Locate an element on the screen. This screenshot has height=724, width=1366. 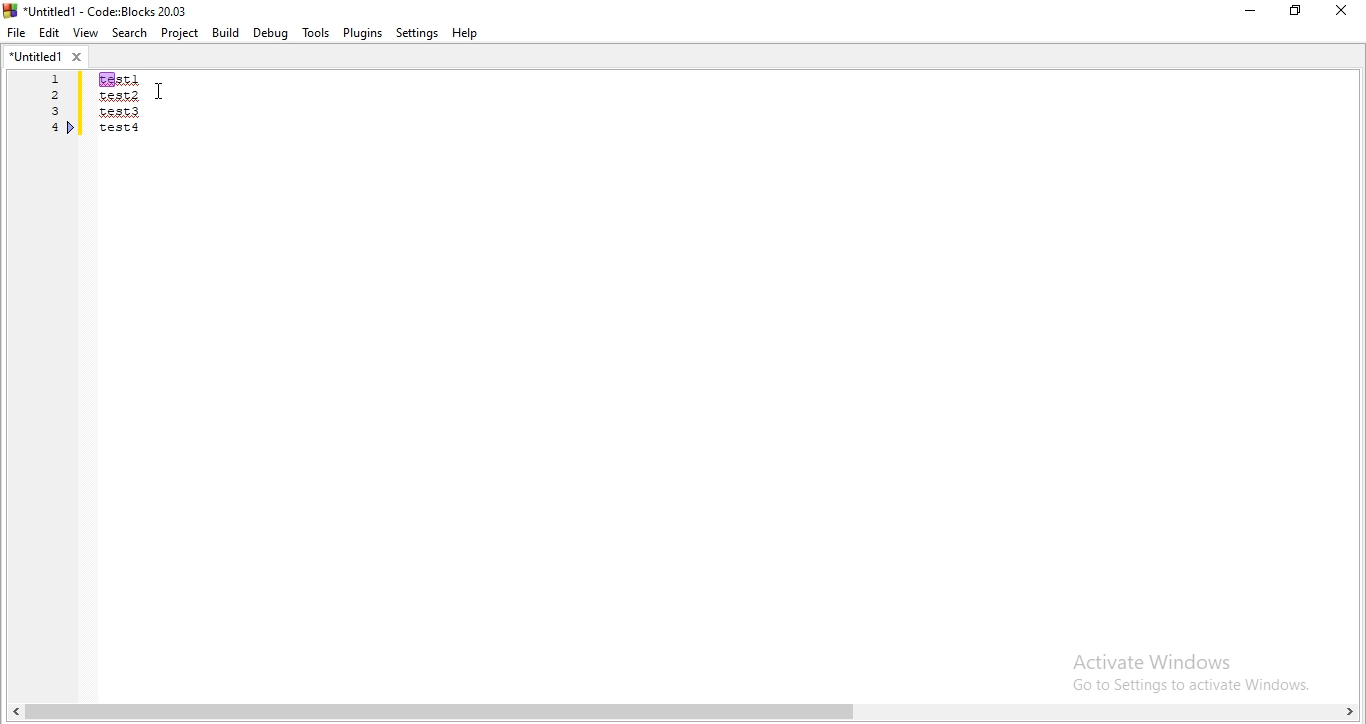
scroll bar is located at coordinates (683, 713).